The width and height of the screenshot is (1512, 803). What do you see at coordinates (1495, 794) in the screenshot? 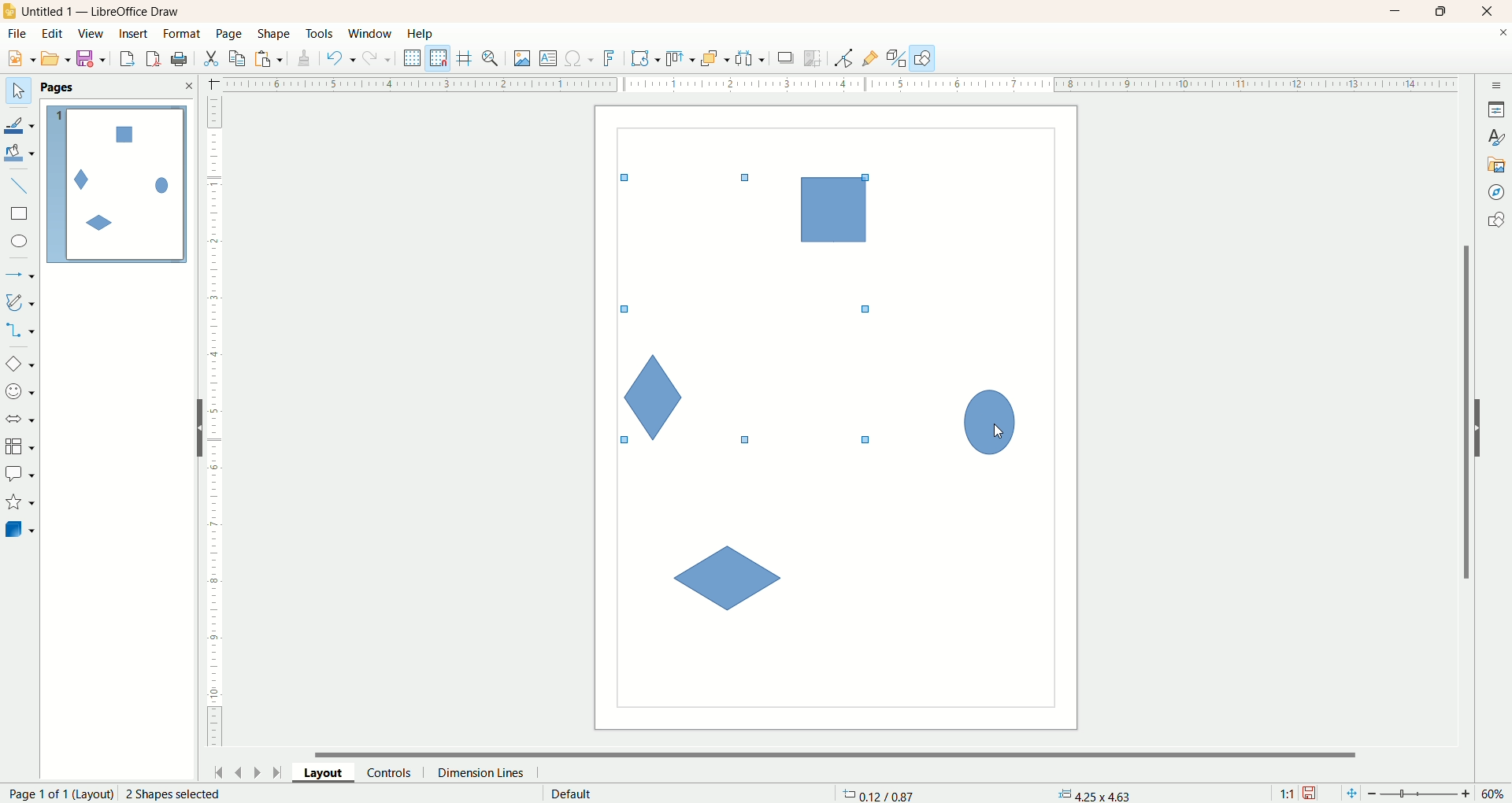
I see `zoom percent` at bounding box center [1495, 794].